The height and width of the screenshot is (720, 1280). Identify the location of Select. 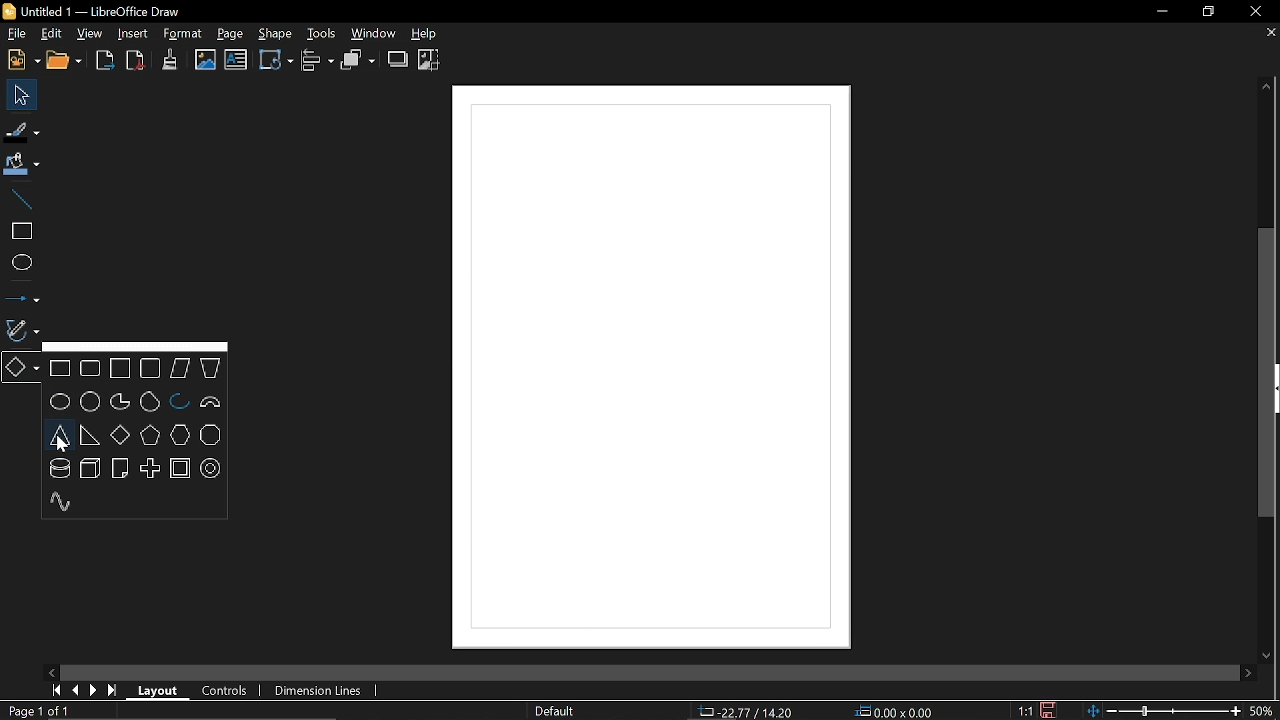
(19, 94).